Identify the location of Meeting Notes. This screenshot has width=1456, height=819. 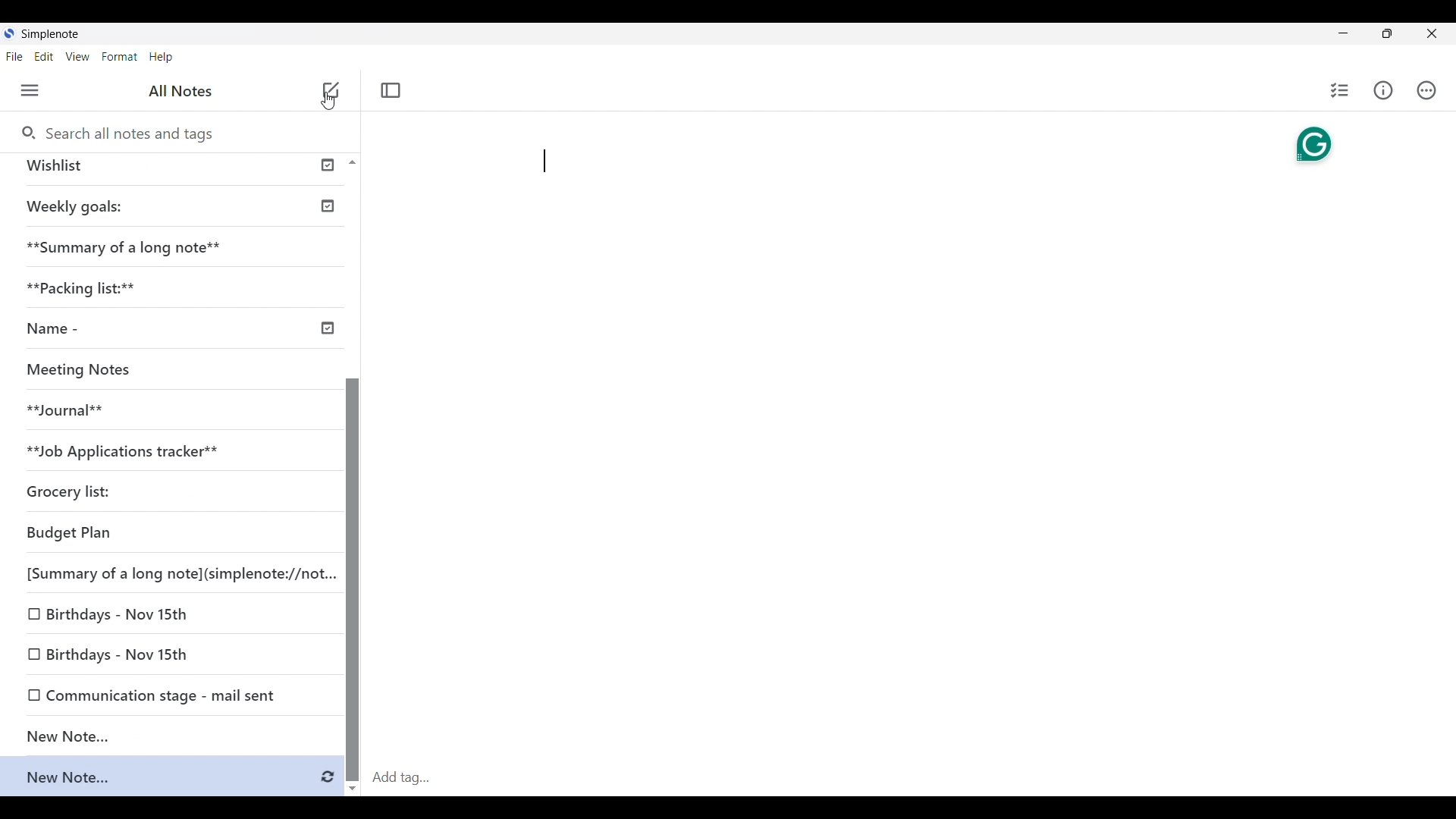
(79, 371).